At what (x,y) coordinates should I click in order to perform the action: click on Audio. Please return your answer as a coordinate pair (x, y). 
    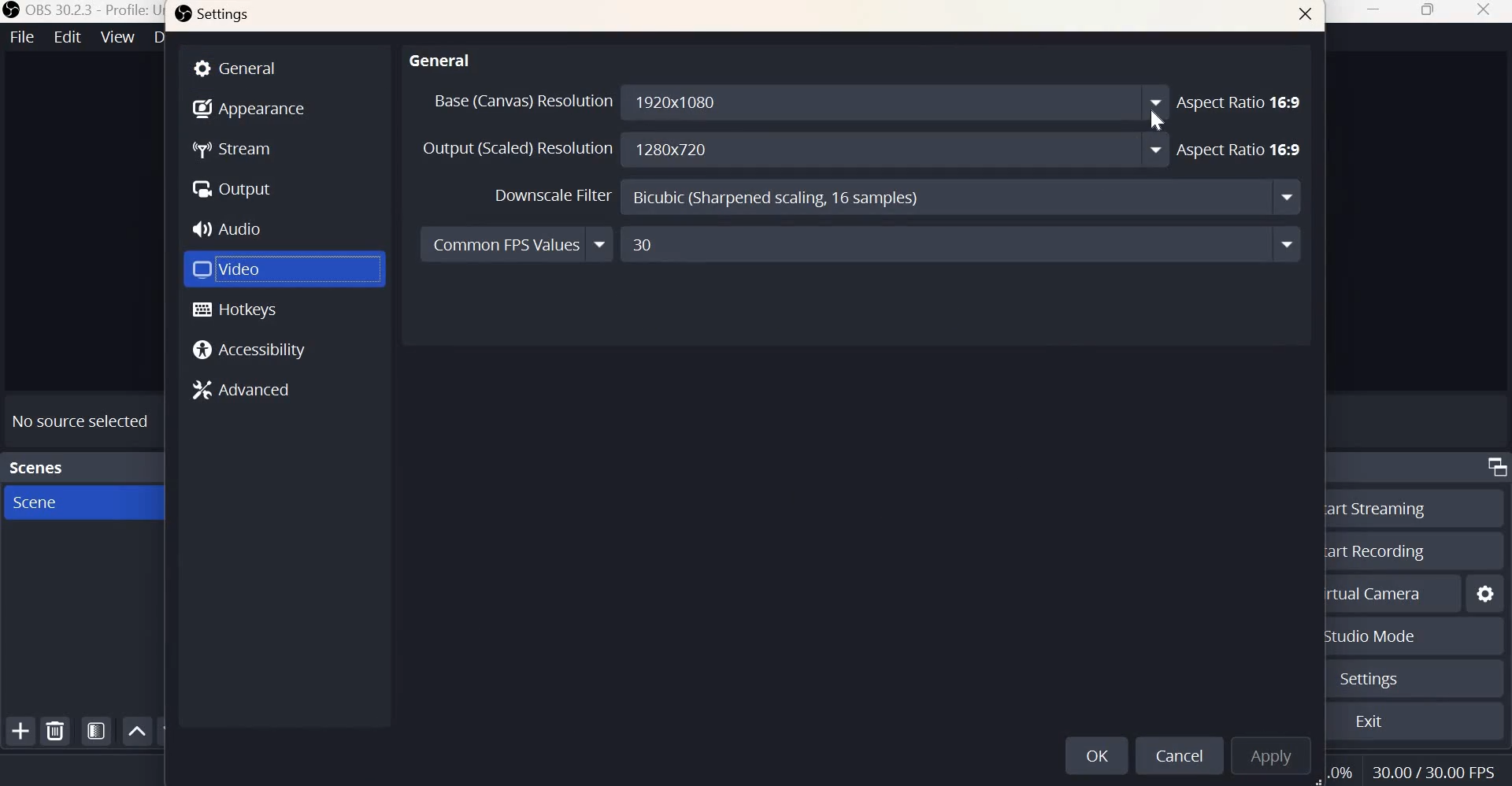
    Looking at the image, I should click on (232, 226).